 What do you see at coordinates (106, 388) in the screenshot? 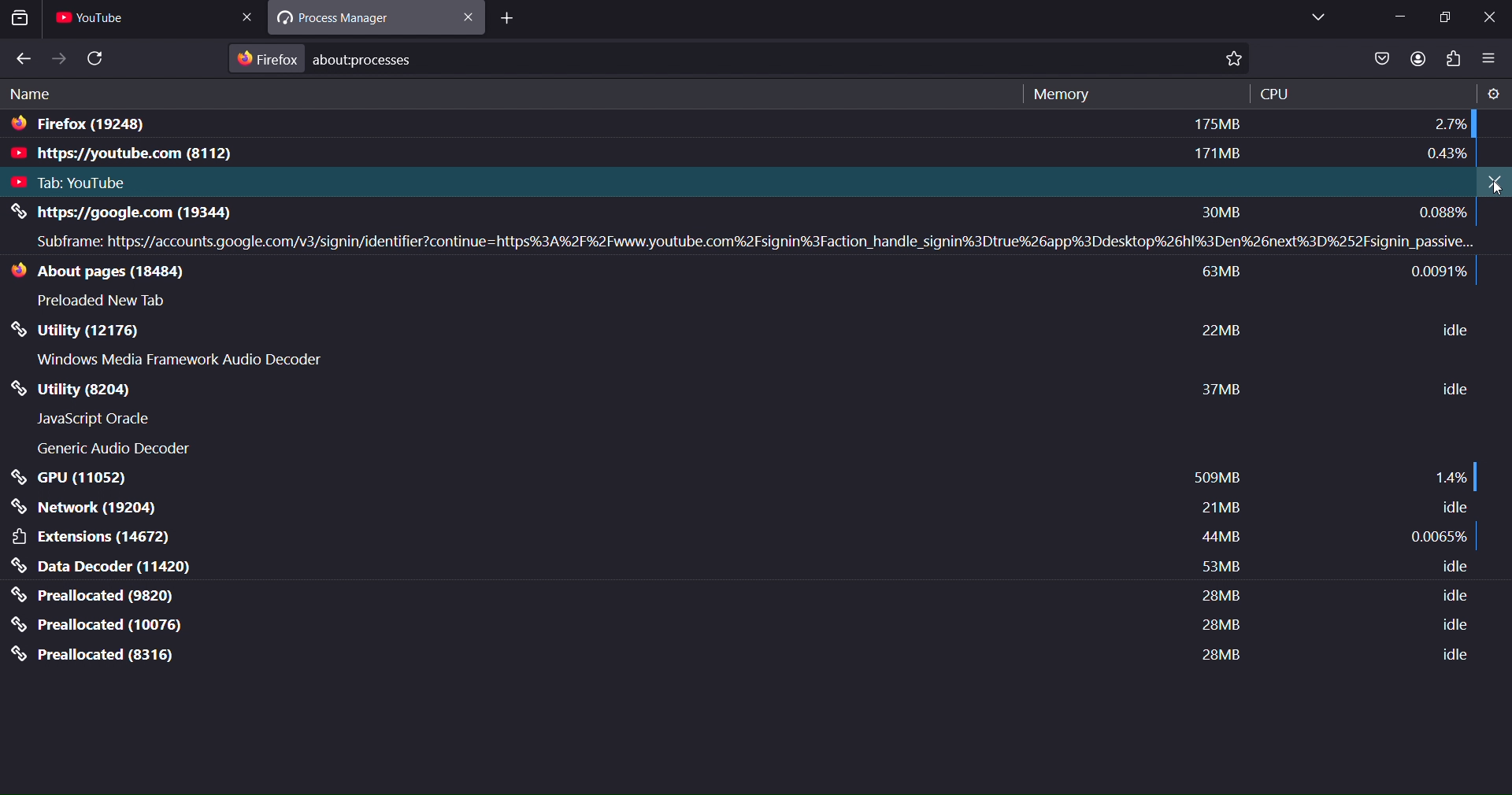
I see `utility(8204)` at bounding box center [106, 388].